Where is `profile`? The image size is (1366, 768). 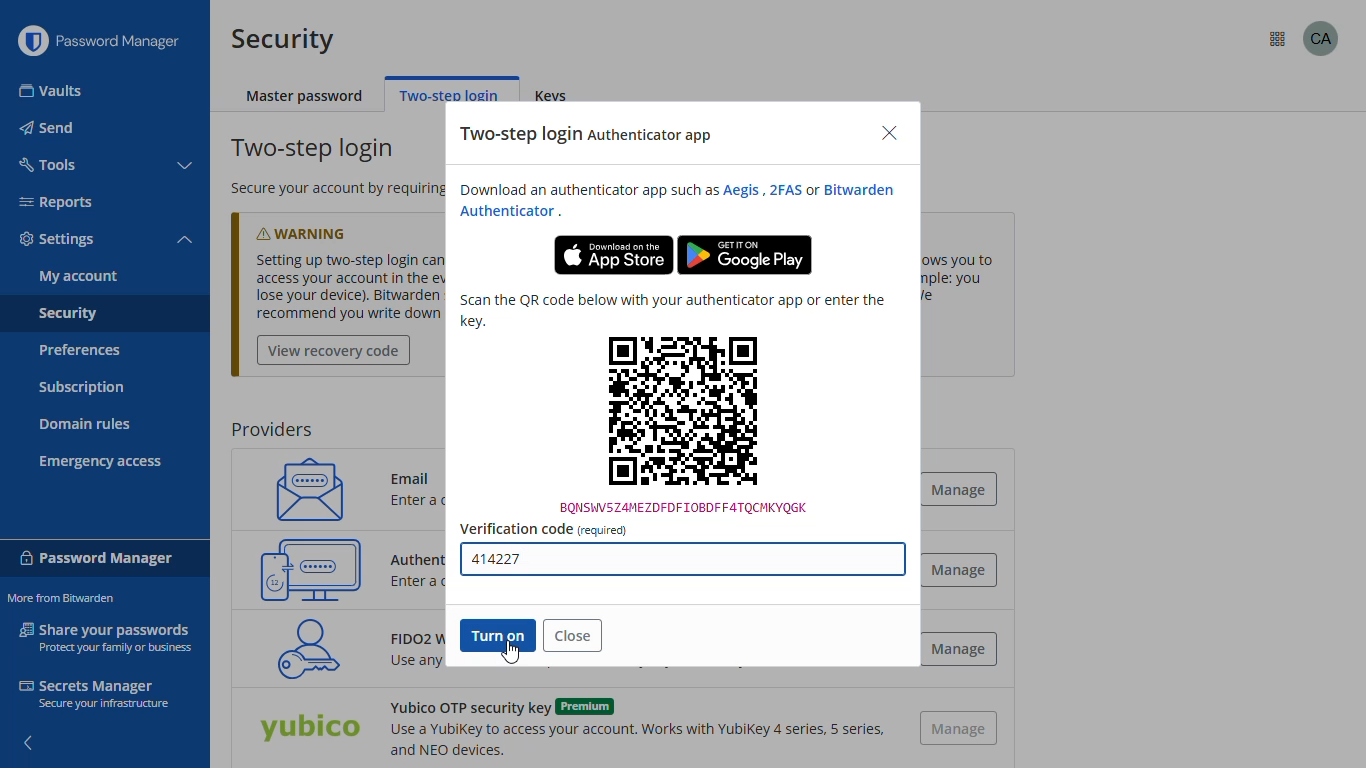 profile is located at coordinates (1321, 38).